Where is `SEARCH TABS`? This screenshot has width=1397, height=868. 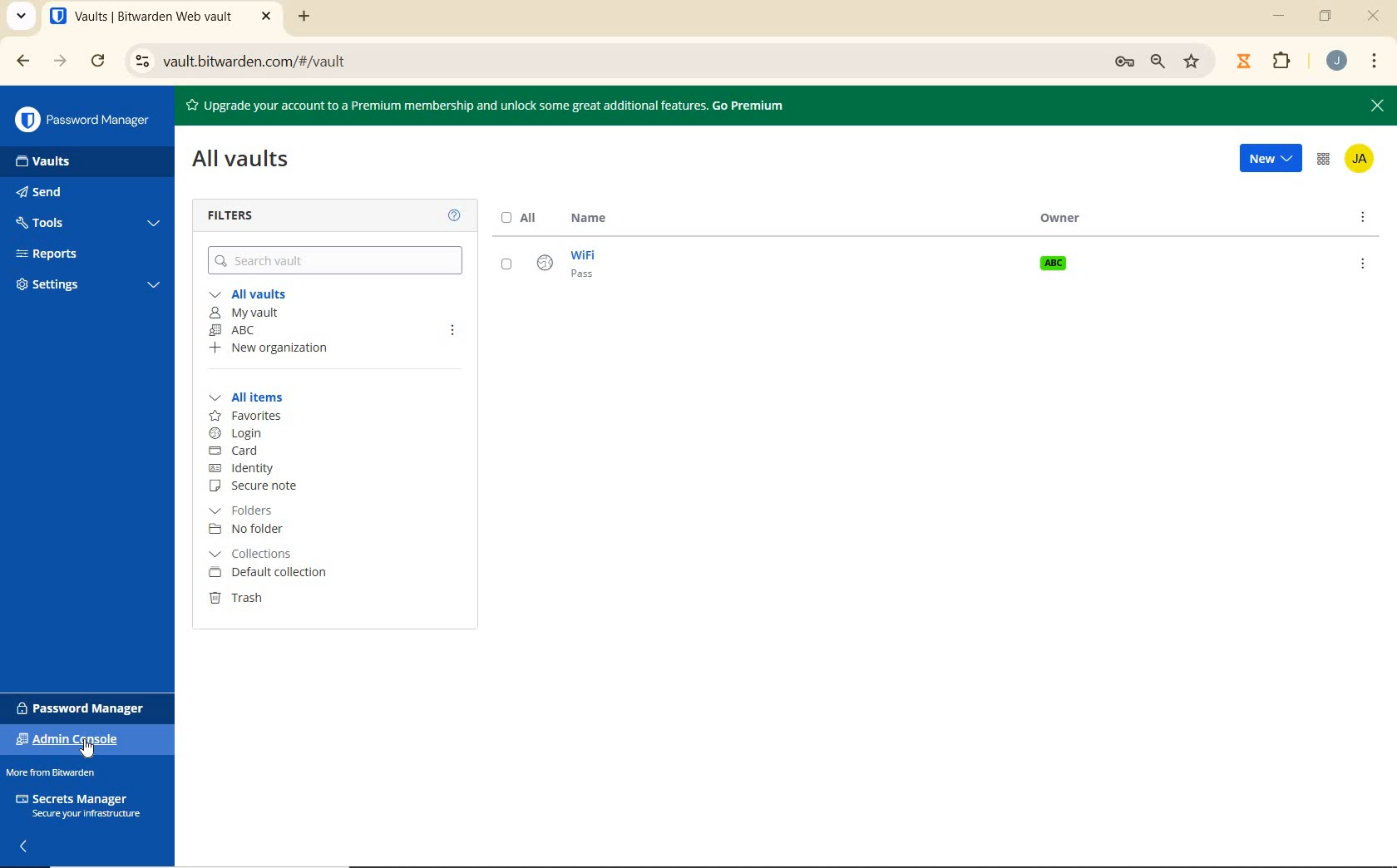 SEARCH TABS is located at coordinates (22, 17).